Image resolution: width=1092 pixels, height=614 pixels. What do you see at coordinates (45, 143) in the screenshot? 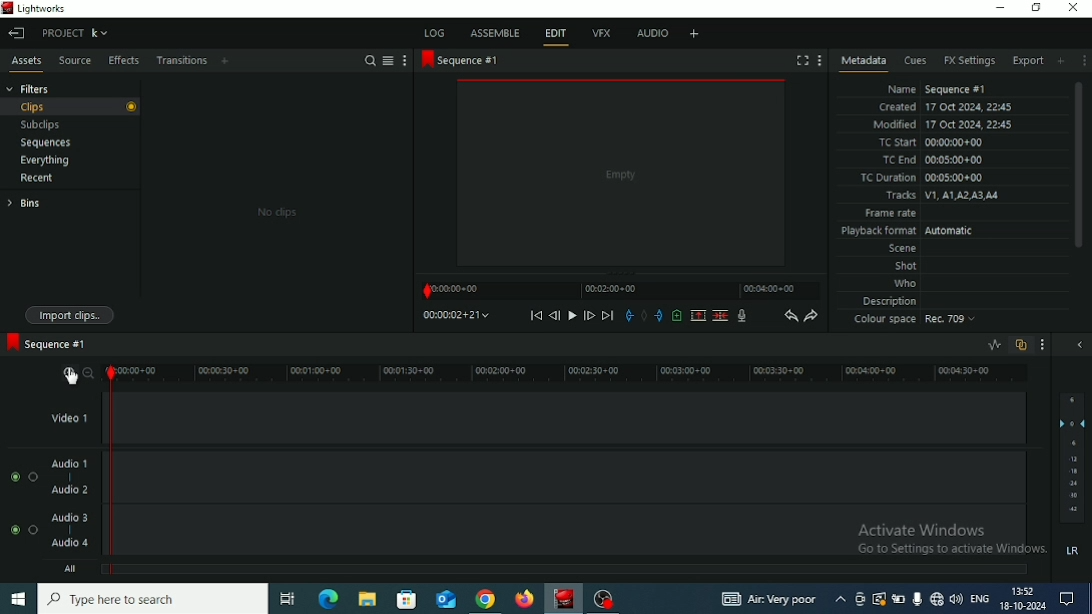
I see `Sequences` at bounding box center [45, 143].